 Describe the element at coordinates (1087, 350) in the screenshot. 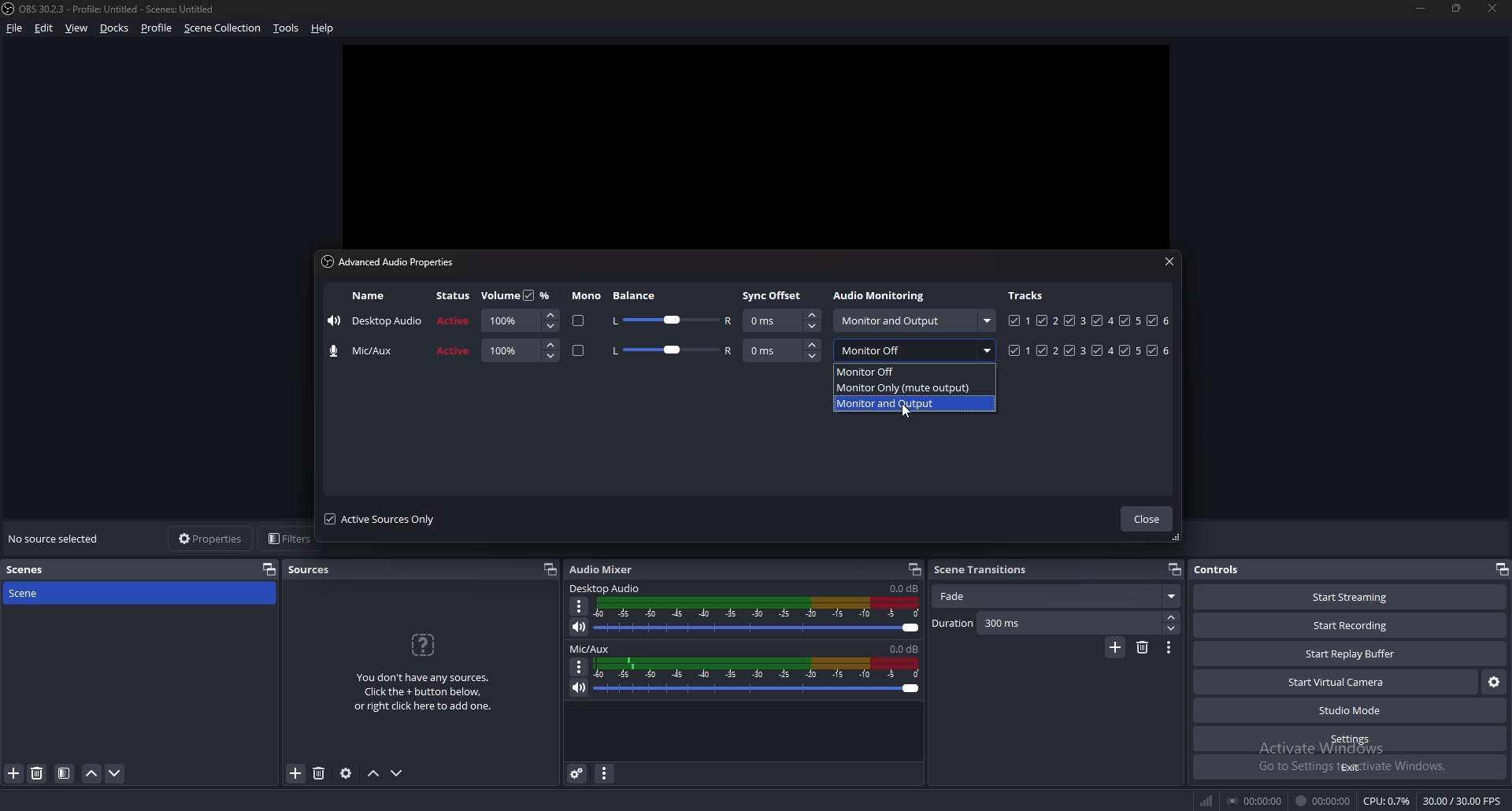

I see `tracks` at that location.